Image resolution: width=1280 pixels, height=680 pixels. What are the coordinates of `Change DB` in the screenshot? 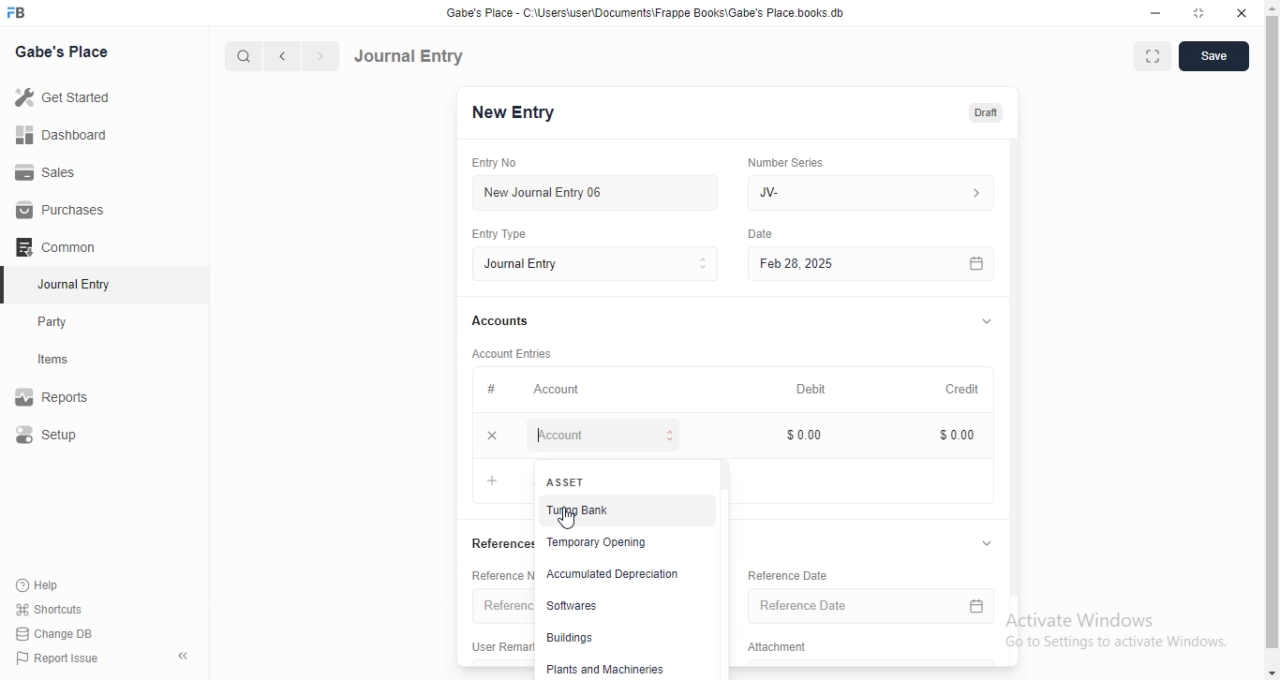 It's located at (60, 633).